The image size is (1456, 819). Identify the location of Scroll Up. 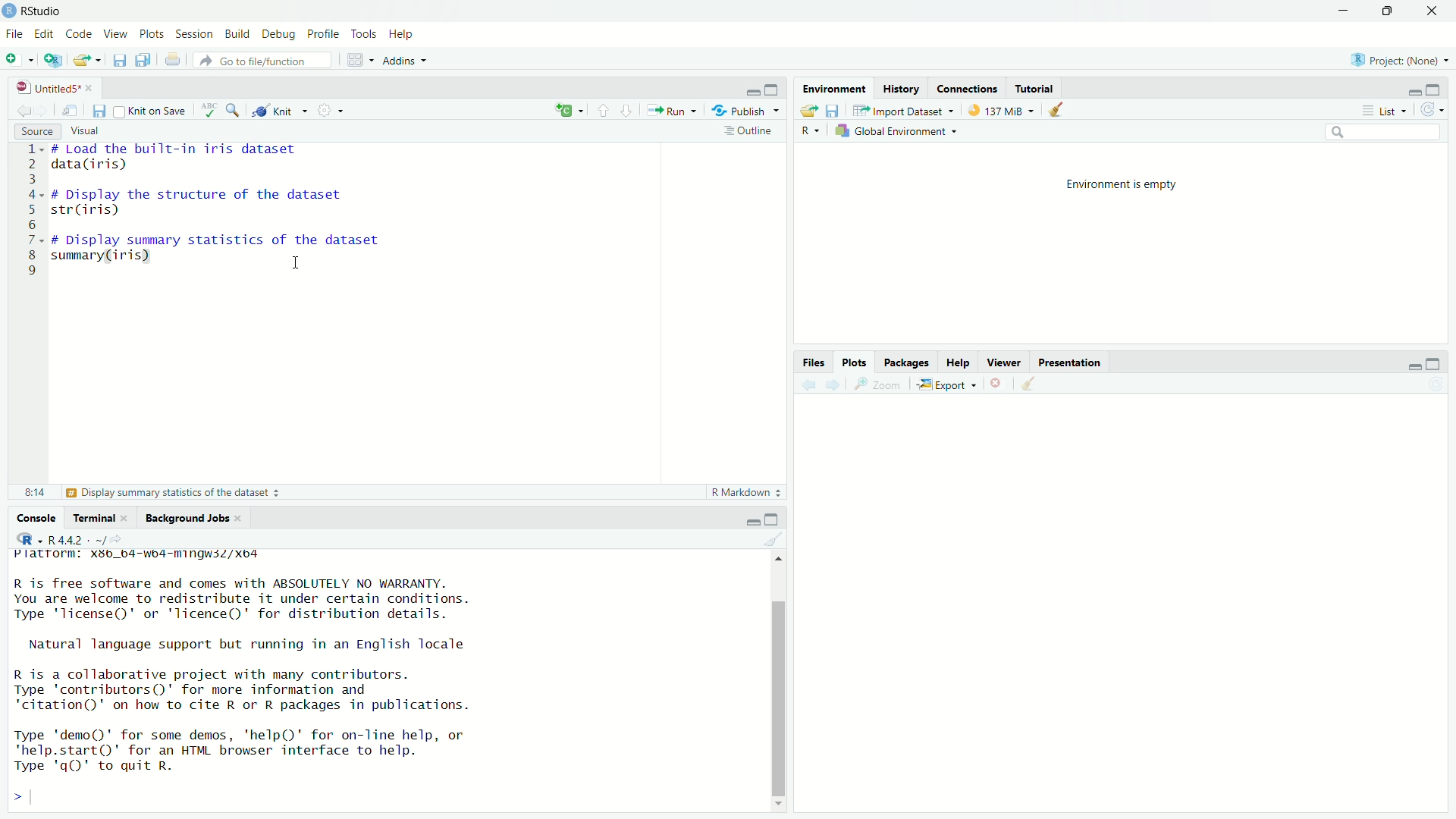
(781, 557).